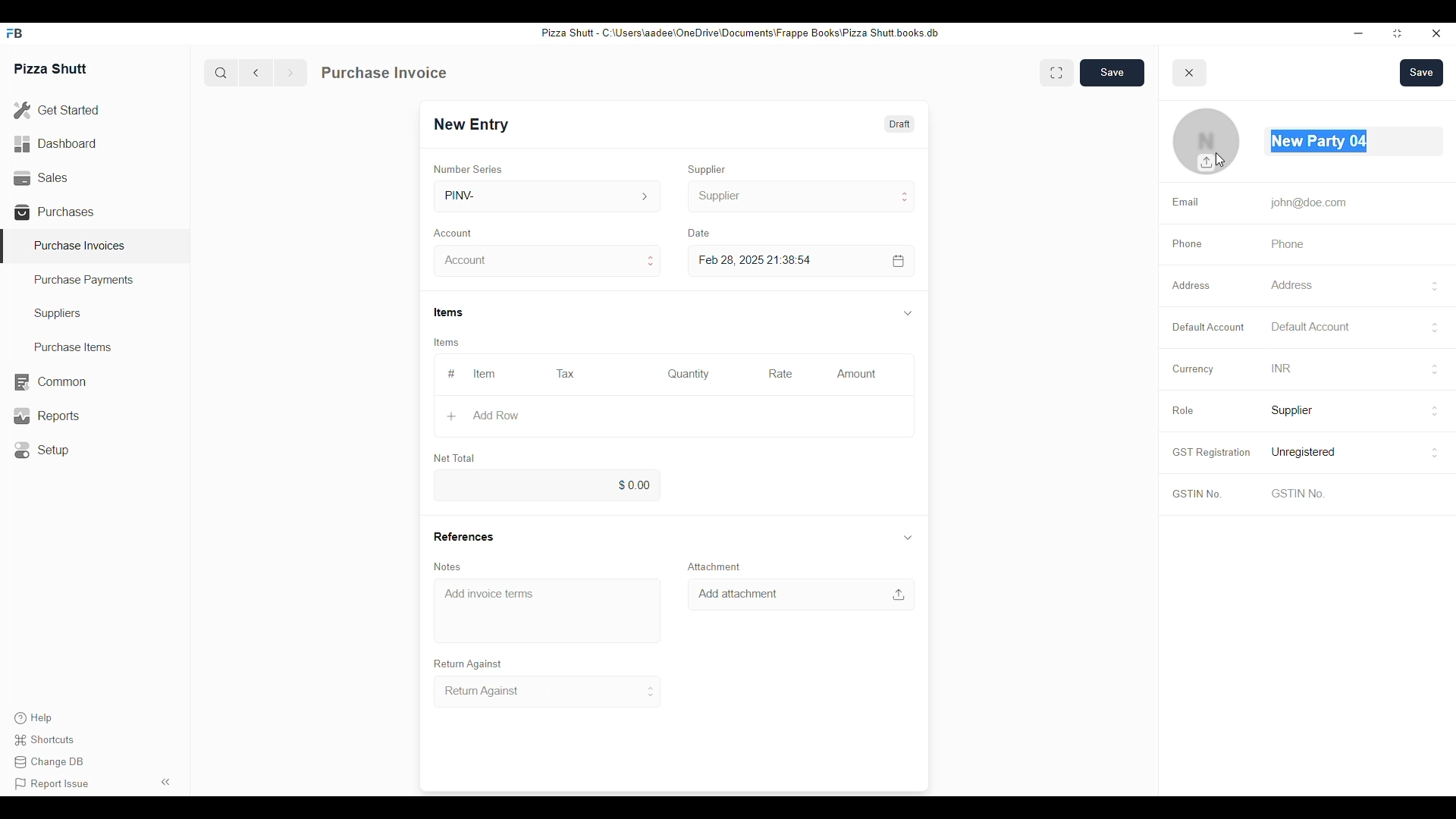  What do you see at coordinates (463, 536) in the screenshot?
I see `References` at bounding box center [463, 536].